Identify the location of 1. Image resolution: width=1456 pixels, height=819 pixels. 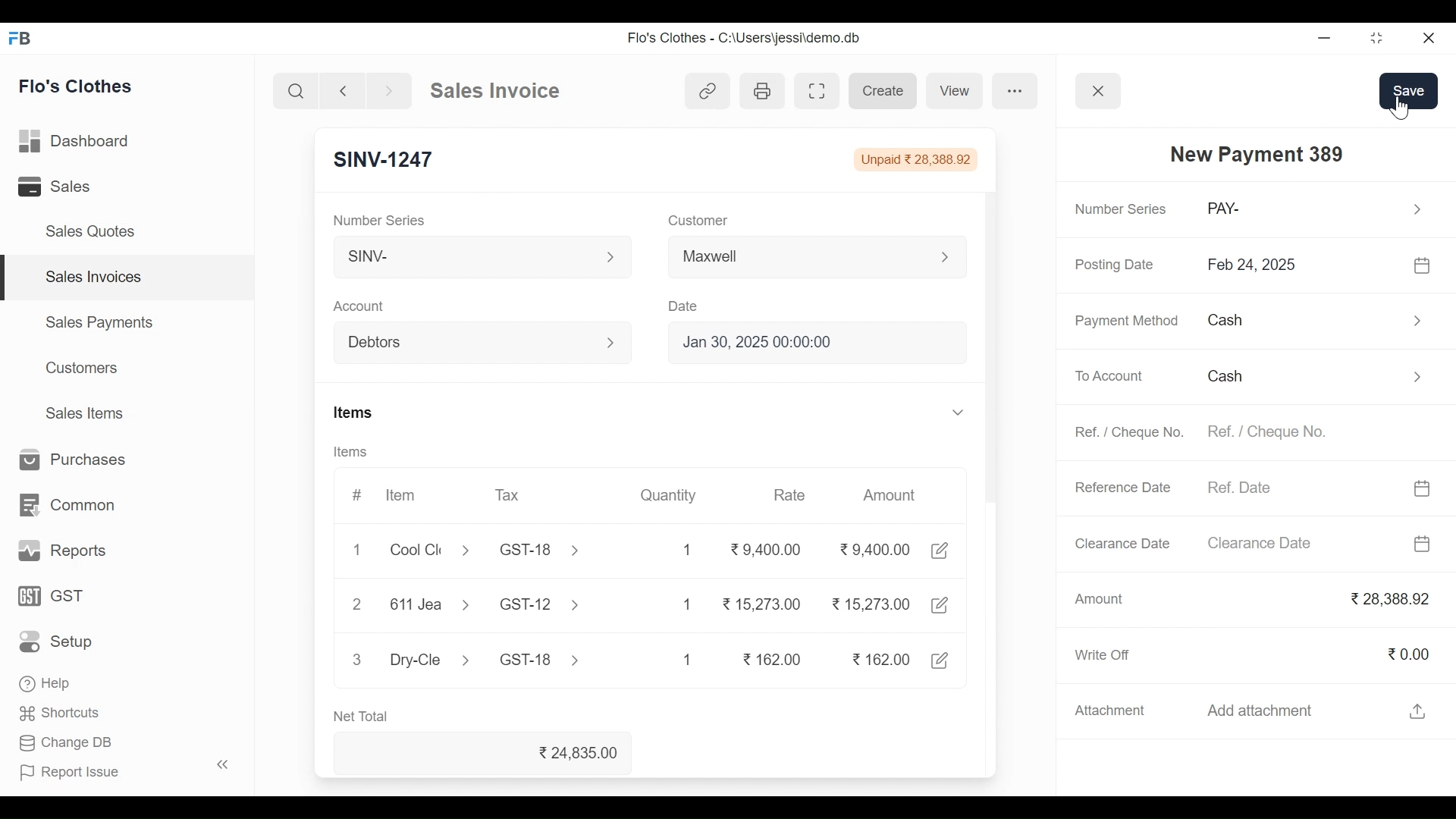
(359, 549).